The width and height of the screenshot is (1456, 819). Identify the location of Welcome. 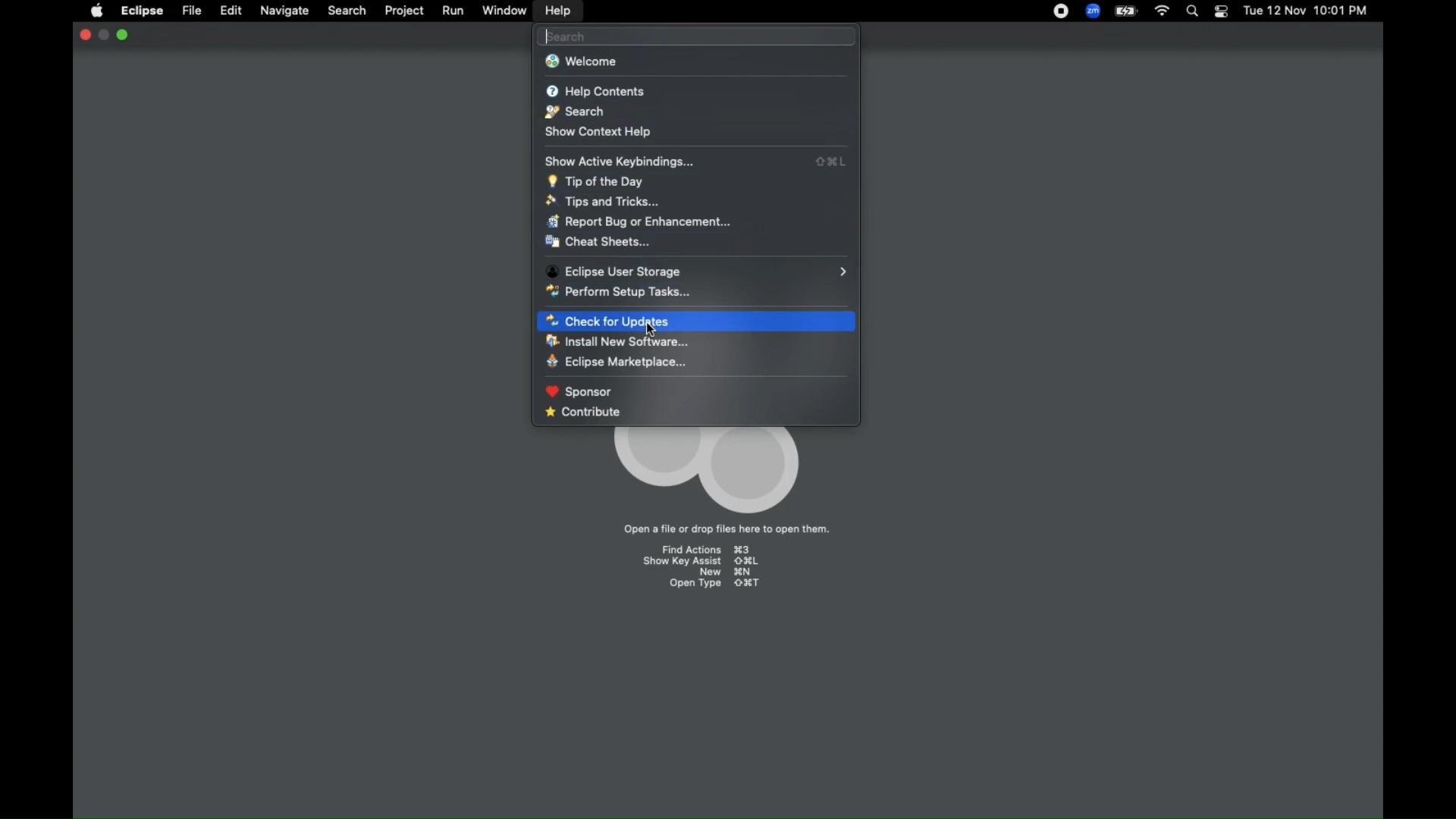
(696, 63).